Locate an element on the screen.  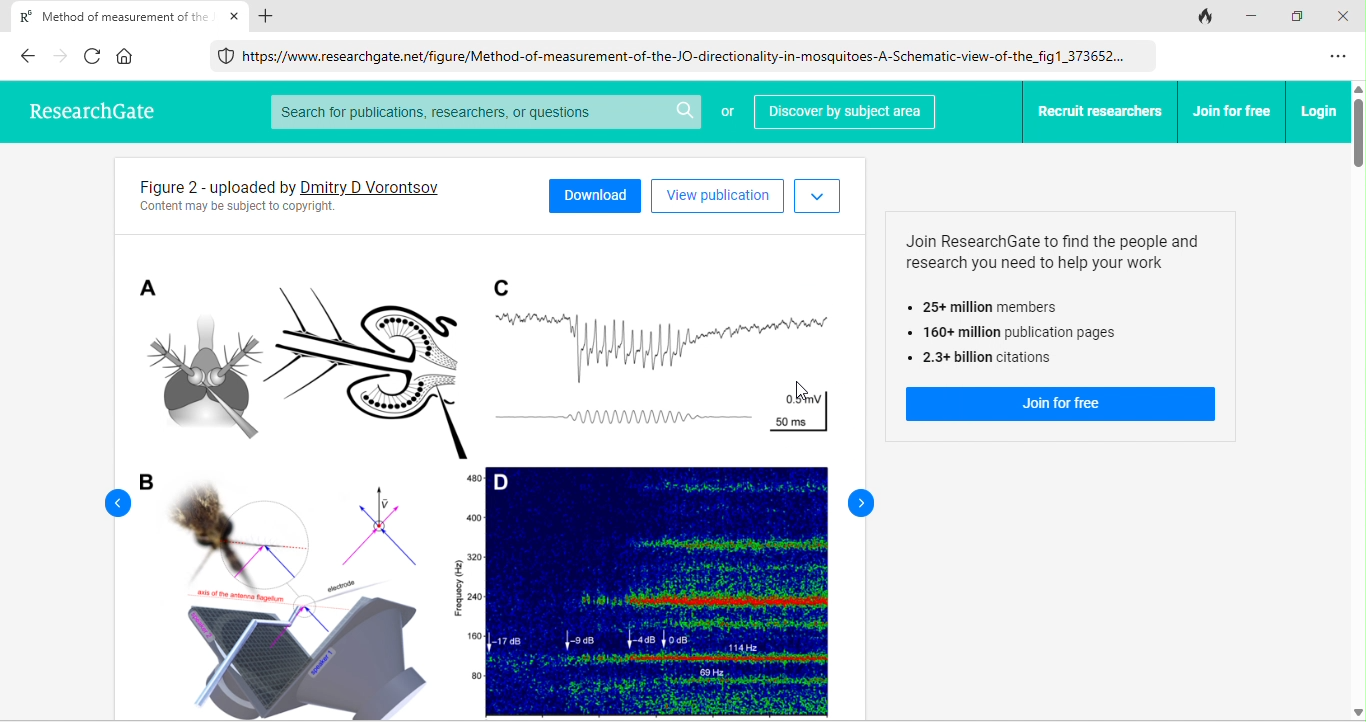
download is located at coordinates (594, 195).